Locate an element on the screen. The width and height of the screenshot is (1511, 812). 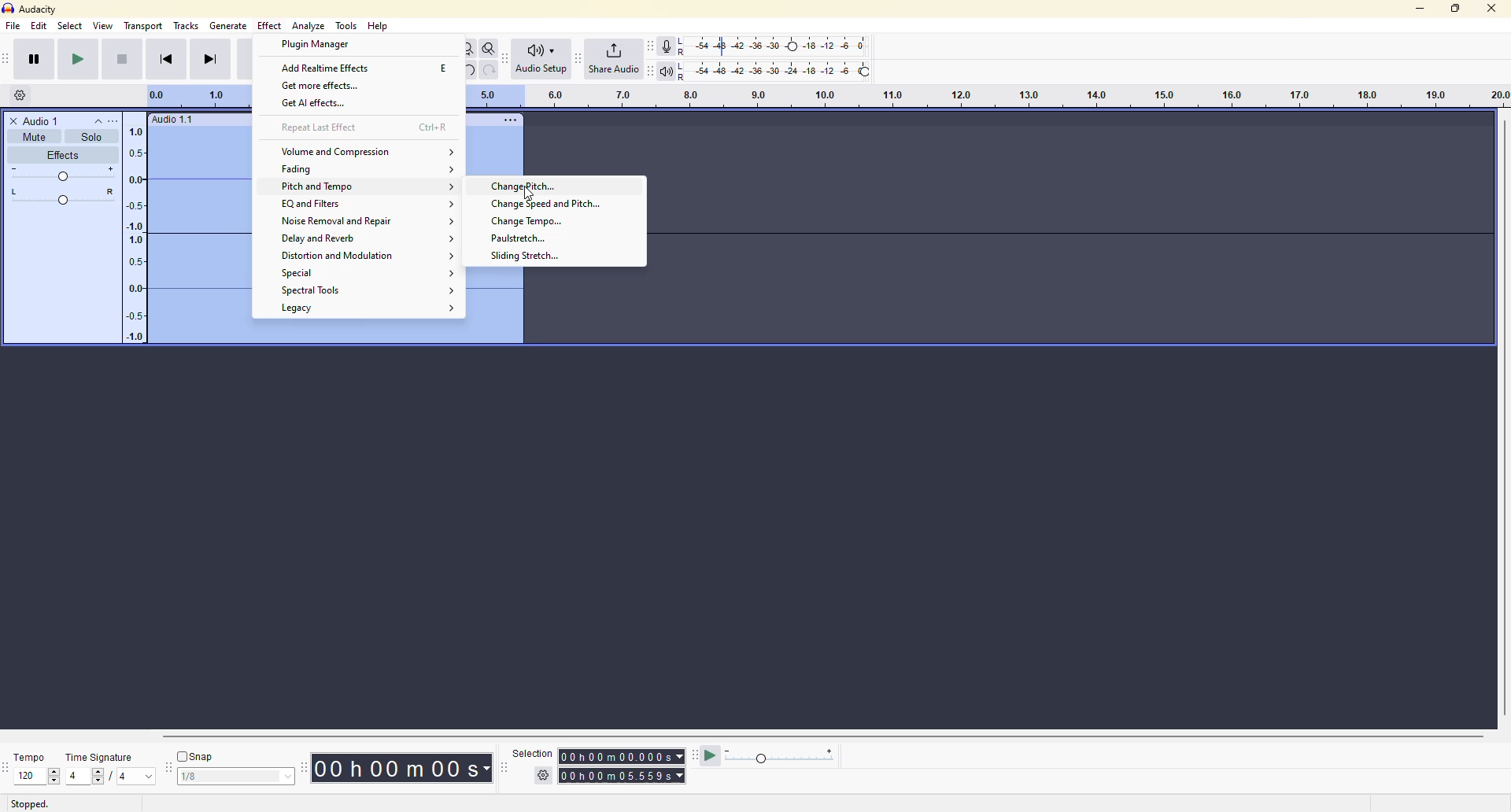
selection is located at coordinates (530, 752).